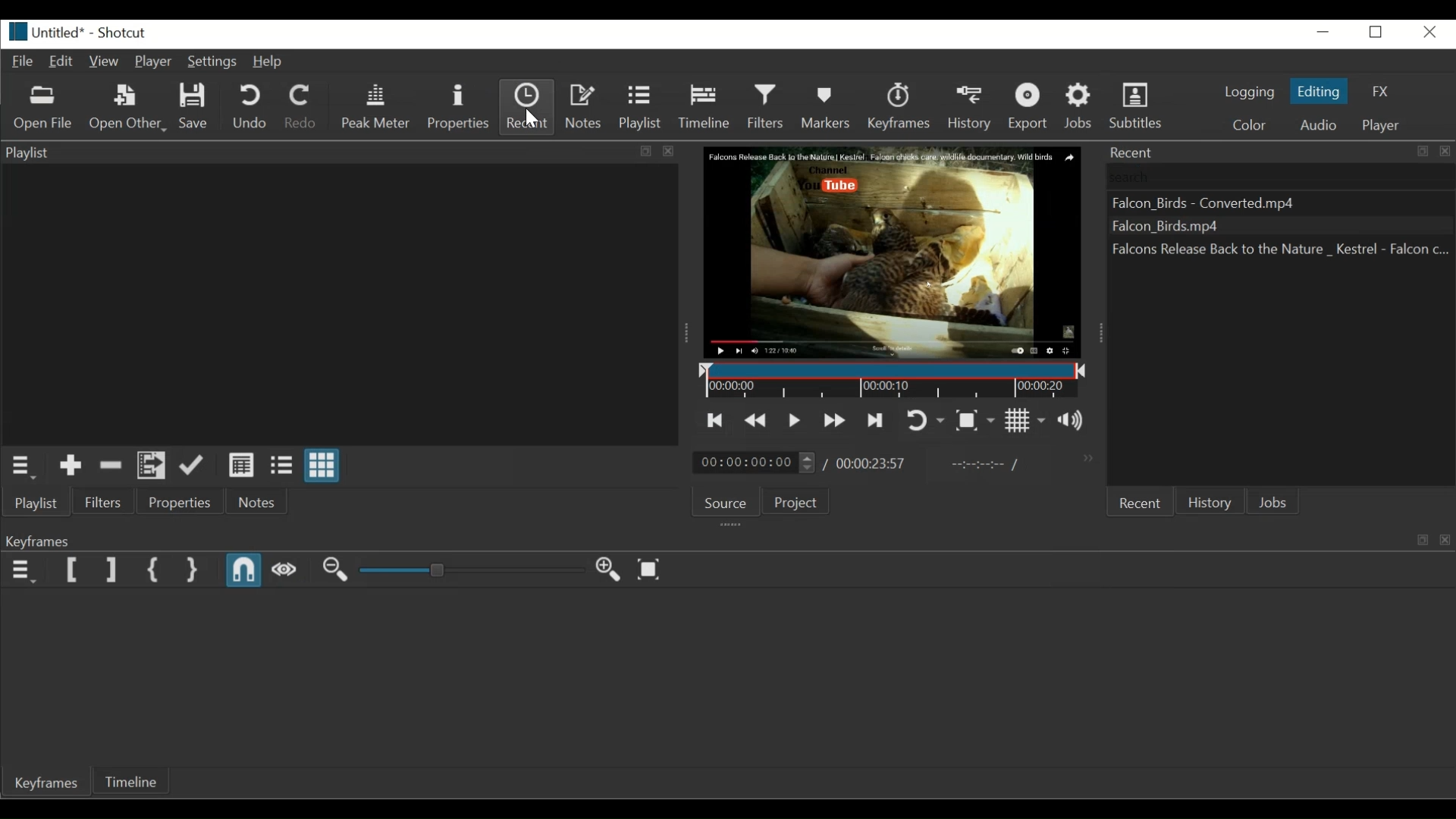  What do you see at coordinates (301, 106) in the screenshot?
I see `Redo` at bounding box center [301, 106].